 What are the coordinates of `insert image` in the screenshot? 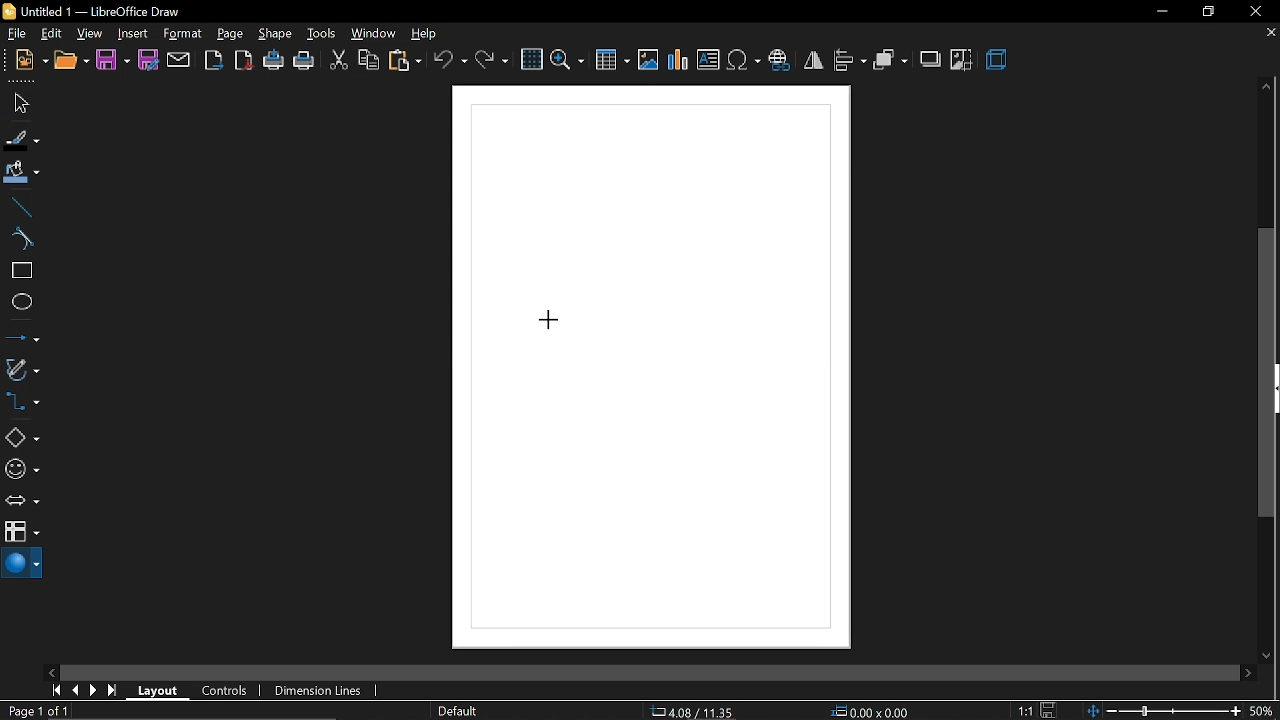 It's located at (648, 59).